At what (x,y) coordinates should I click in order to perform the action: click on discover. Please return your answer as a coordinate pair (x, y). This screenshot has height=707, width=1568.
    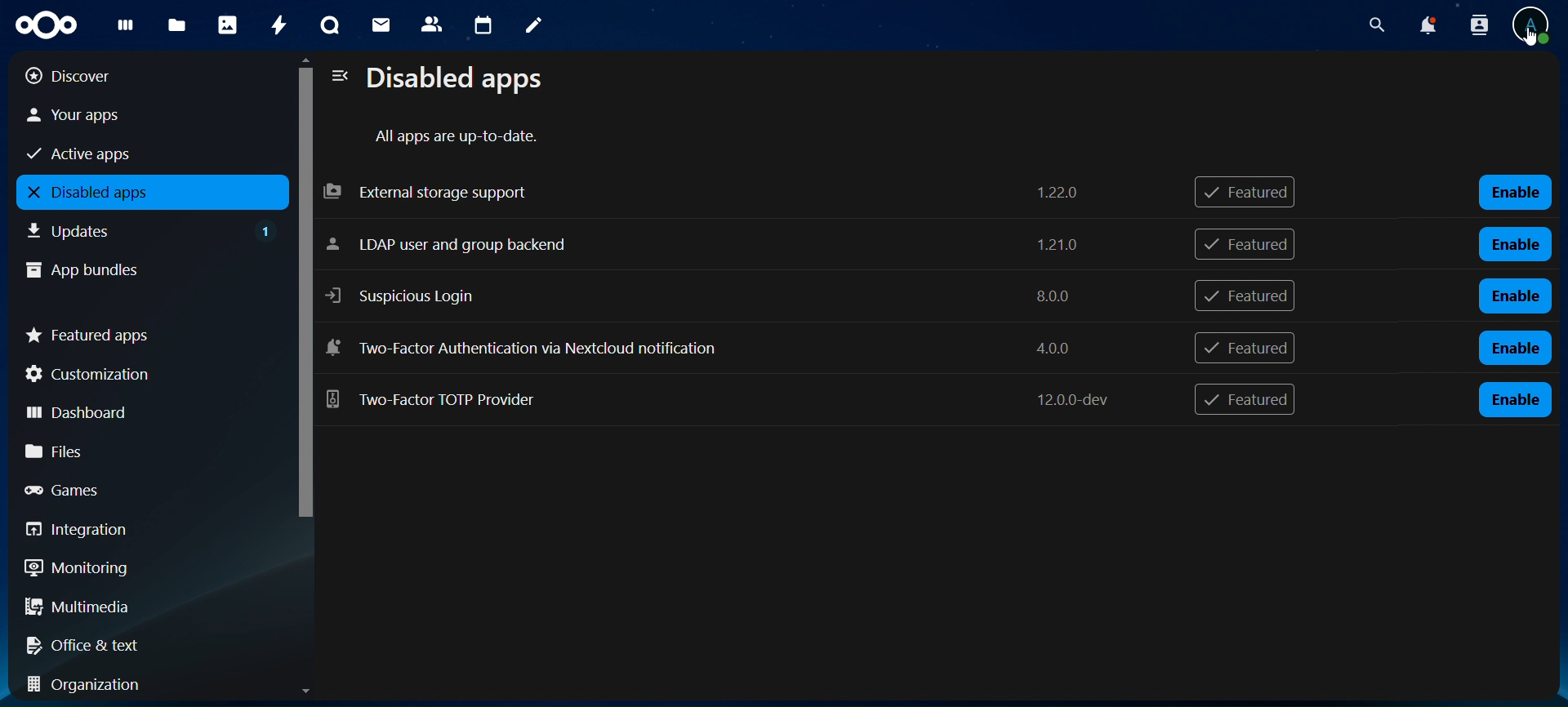
    Looking at the image, I should click on (131, 75).